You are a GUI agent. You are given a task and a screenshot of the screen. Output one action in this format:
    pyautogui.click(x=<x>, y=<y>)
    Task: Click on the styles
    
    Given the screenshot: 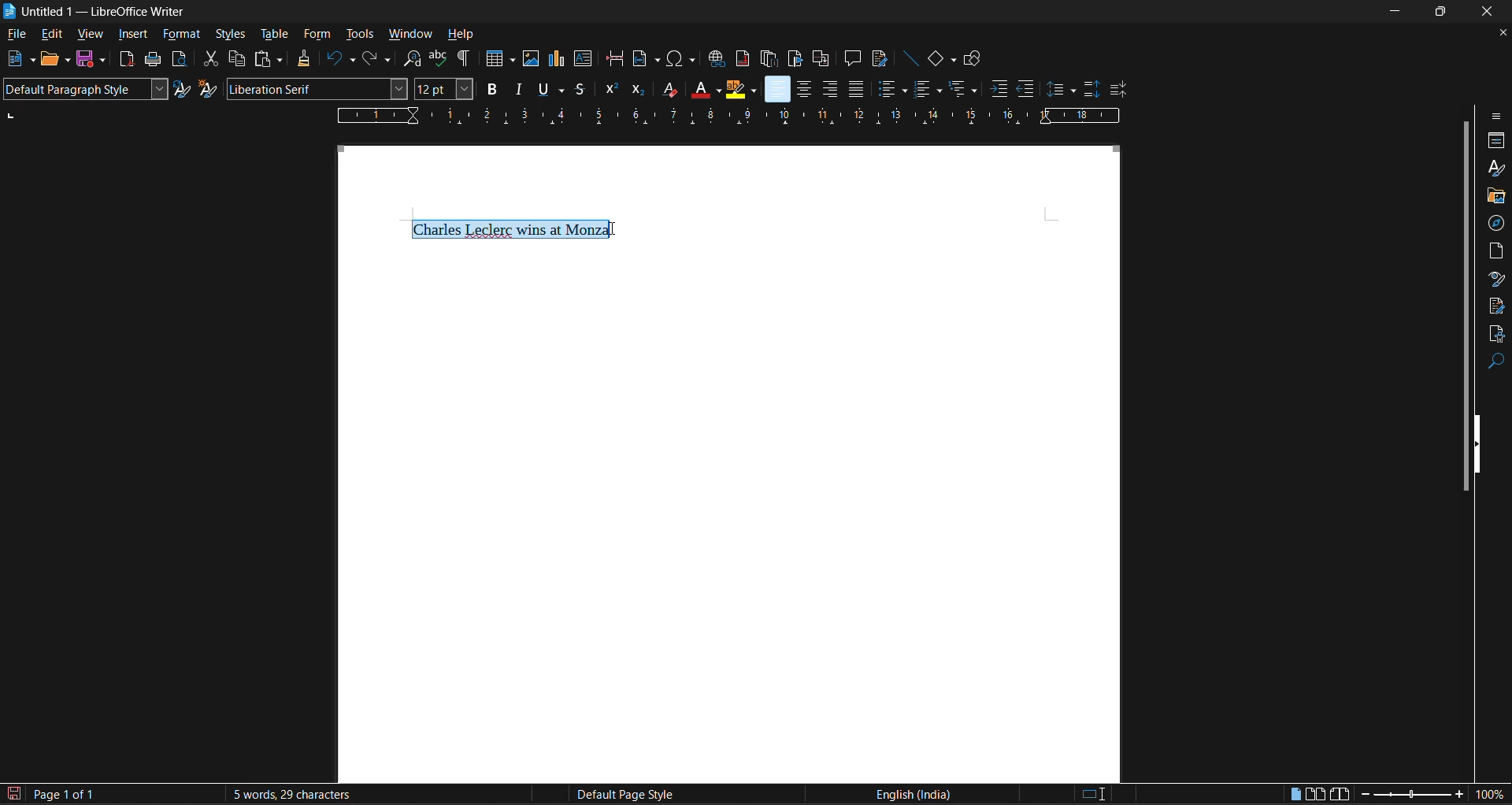 What is the action you would take?
    pyautogui.click(x=1494, y=167)
    